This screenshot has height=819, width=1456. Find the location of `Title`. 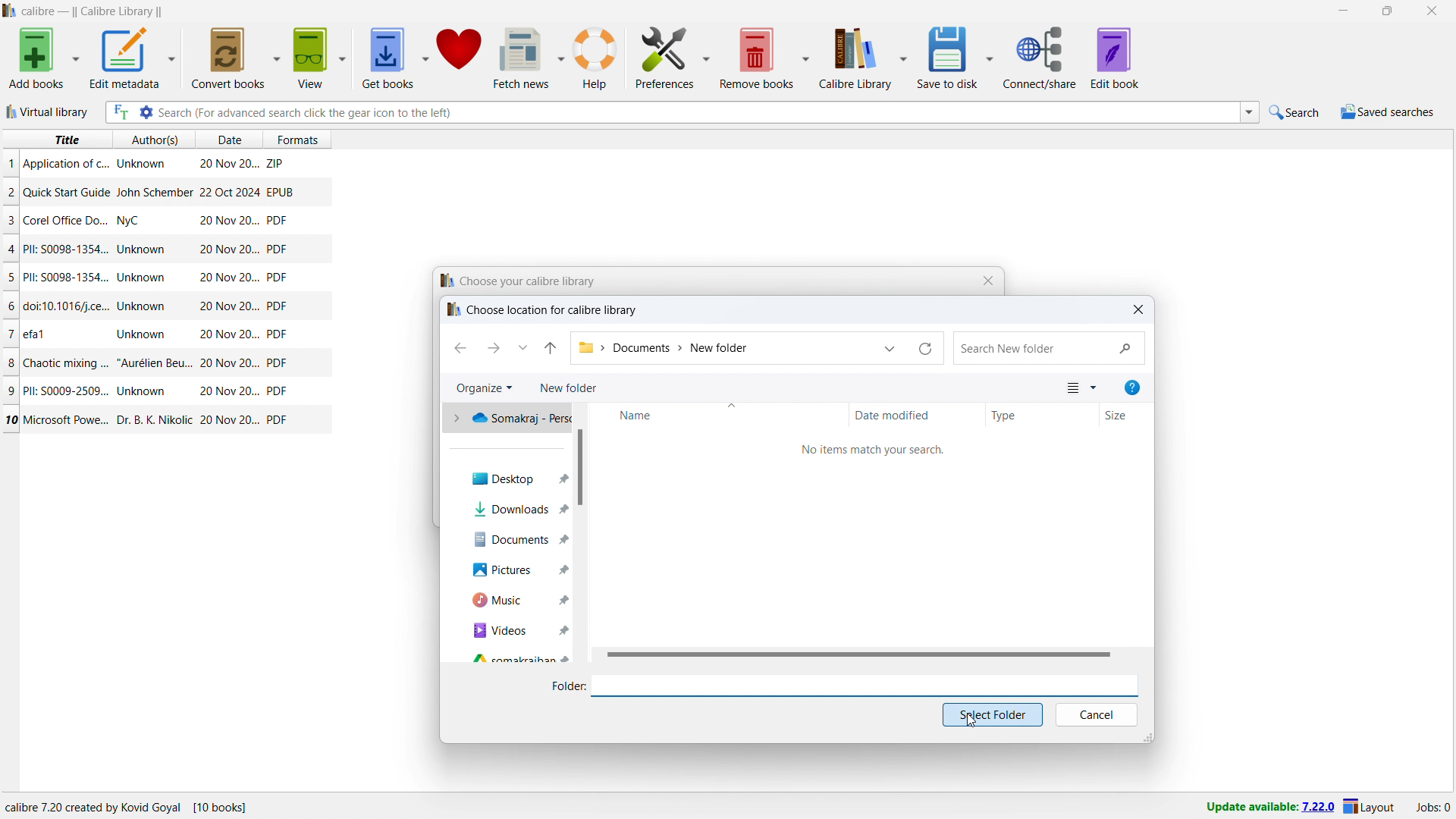

Title is located at coordinates (64, 390).